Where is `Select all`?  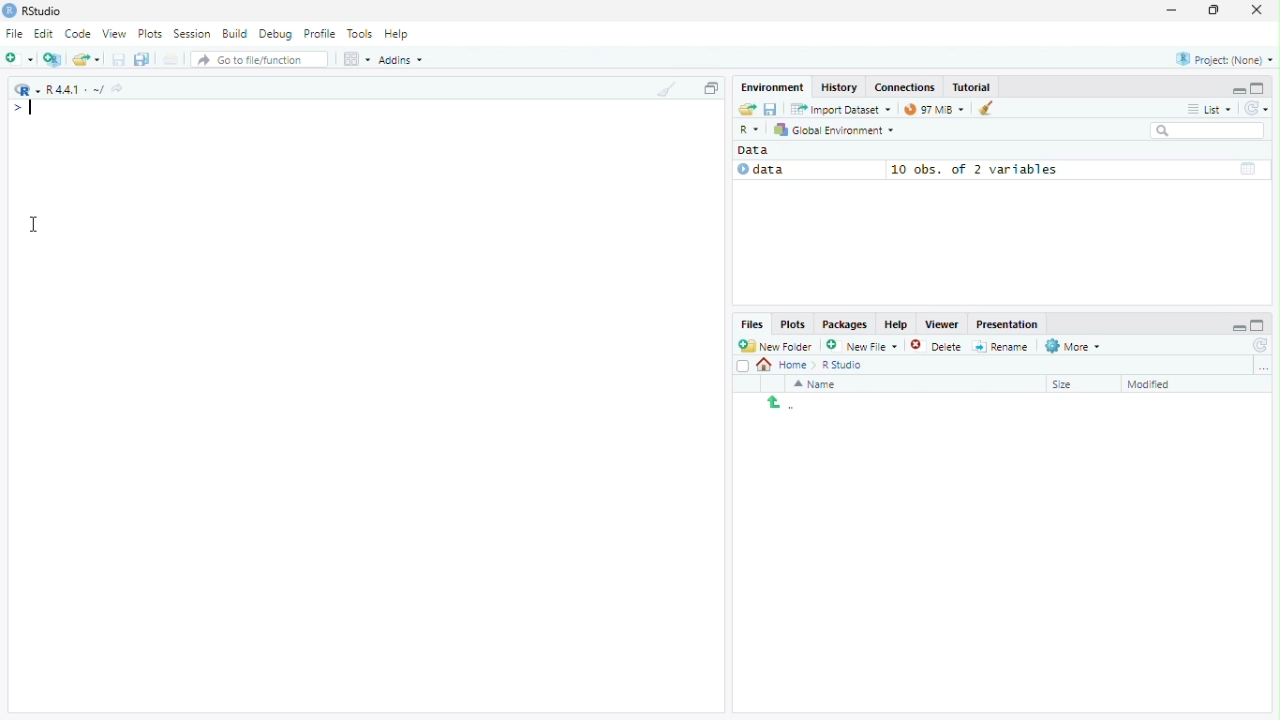 Select all is located at coordinates (743, 365).